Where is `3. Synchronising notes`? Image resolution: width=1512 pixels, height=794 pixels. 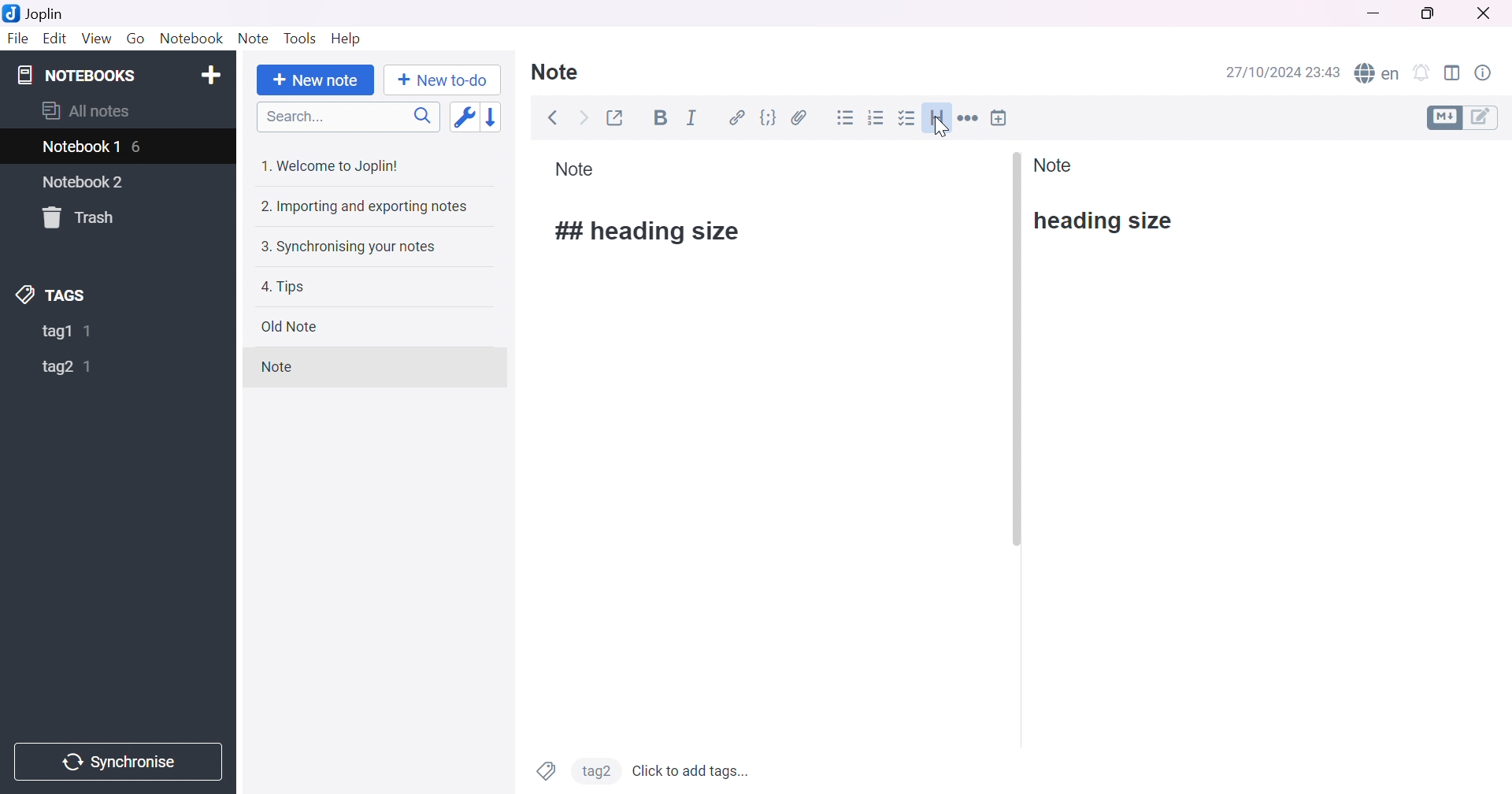 3. Synchronising notes is located at coordinates (348, 248).